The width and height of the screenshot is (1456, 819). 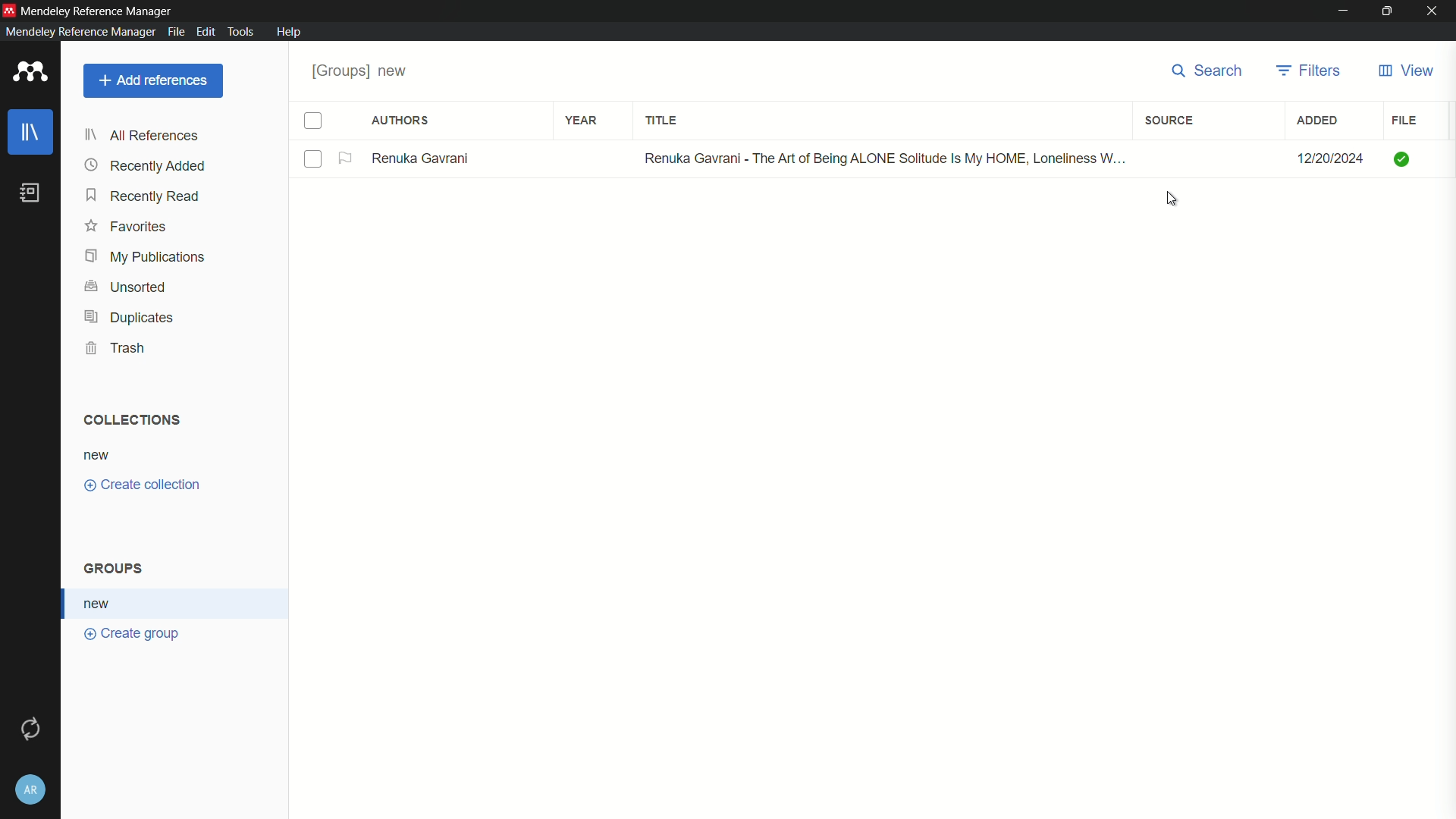 What do you see at coordinates (30, 727) in the screenshot?
I see `sync` at bounding box center [30, 727].